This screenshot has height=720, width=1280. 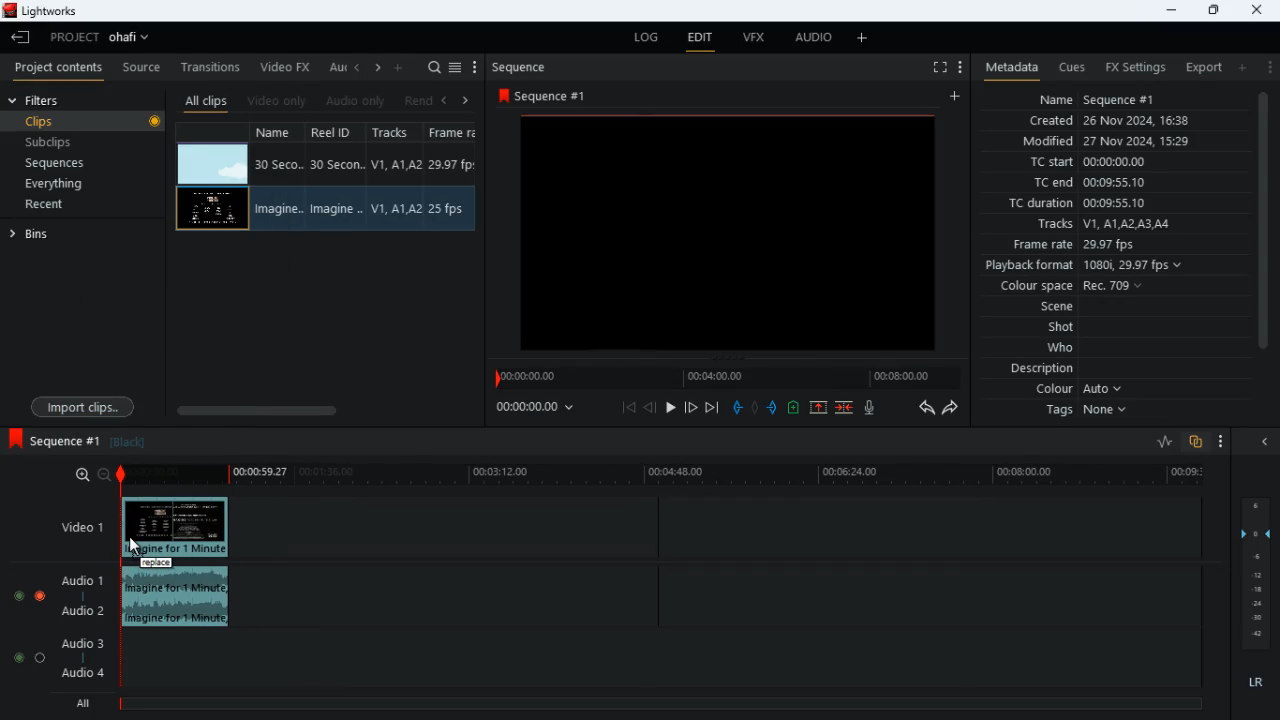 What do you see at coordinates (1134, 66) in the screenshot?
I see `fx settings` at bounding box center [1134, 66].